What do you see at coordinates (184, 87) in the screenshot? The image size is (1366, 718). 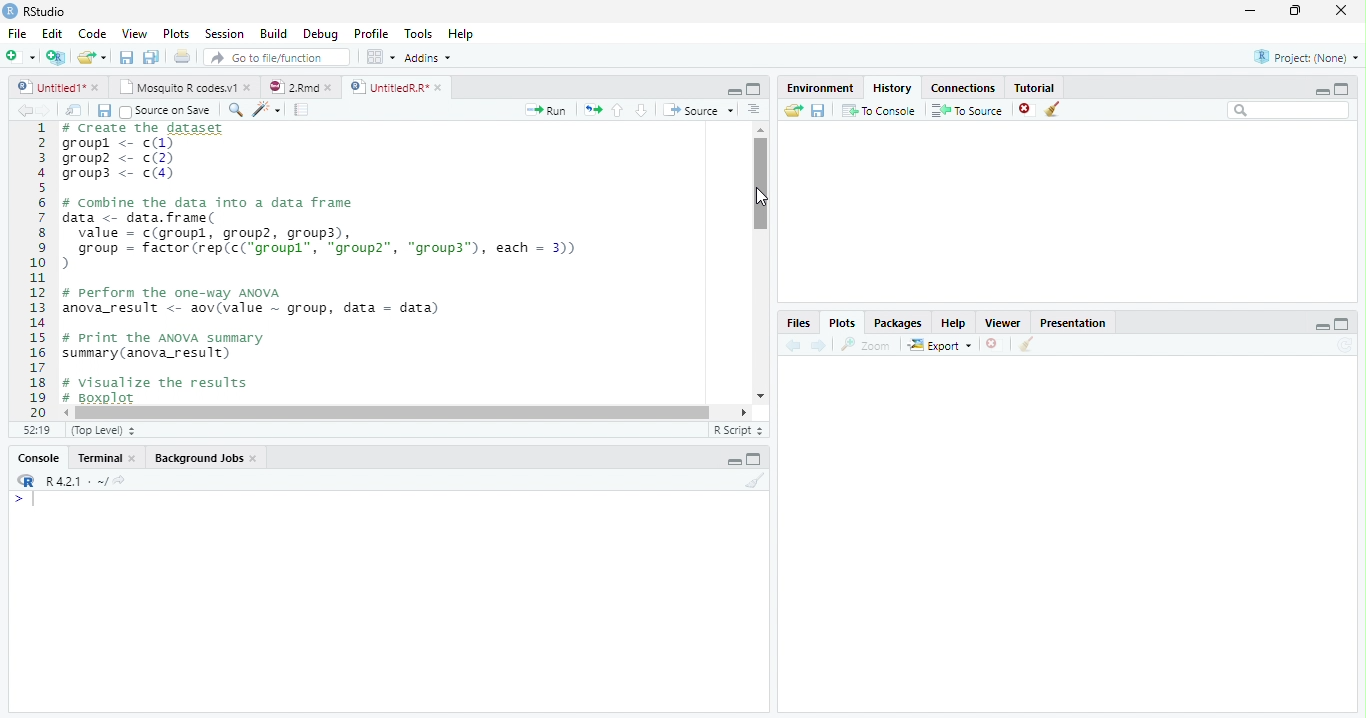 I see `Mosquito R codes` at bounding box center [184, 87].